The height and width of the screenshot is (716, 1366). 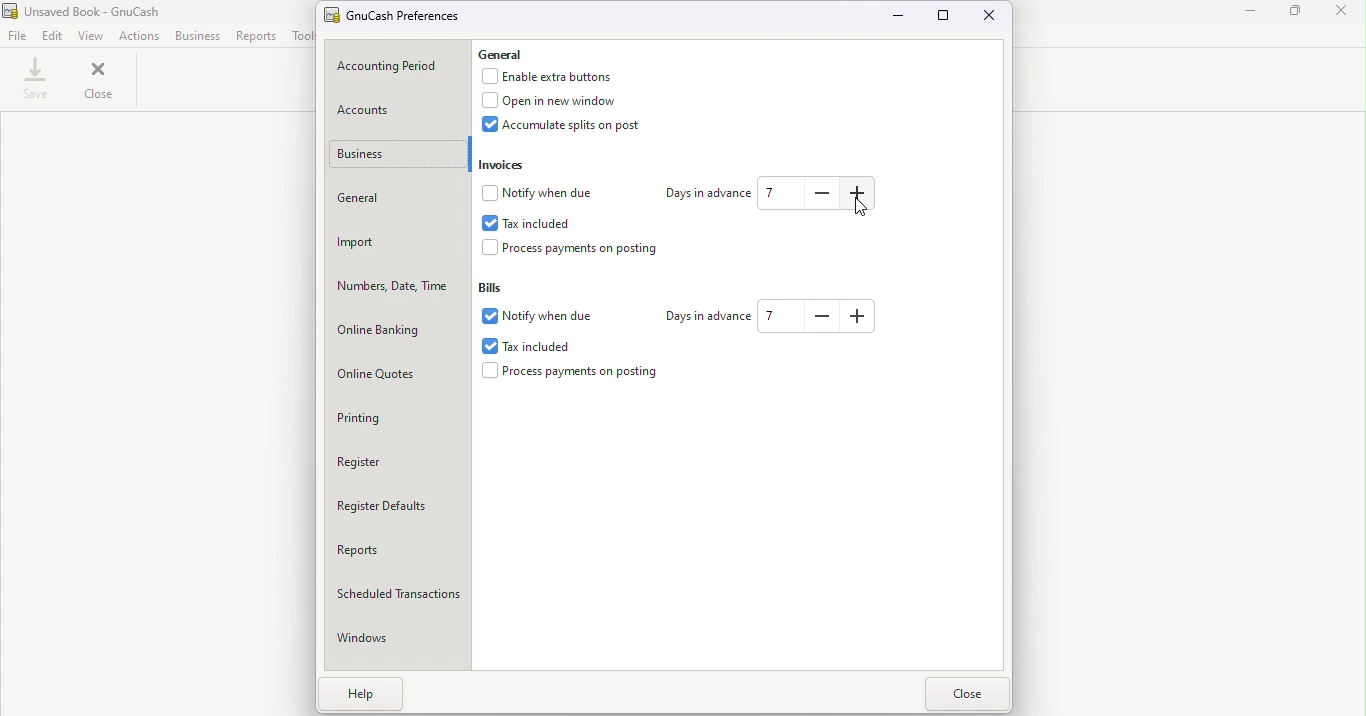 What do you see at coordinates (394, 156) in the screenshot?
I see `Business ` at bounding box center [394, 156].